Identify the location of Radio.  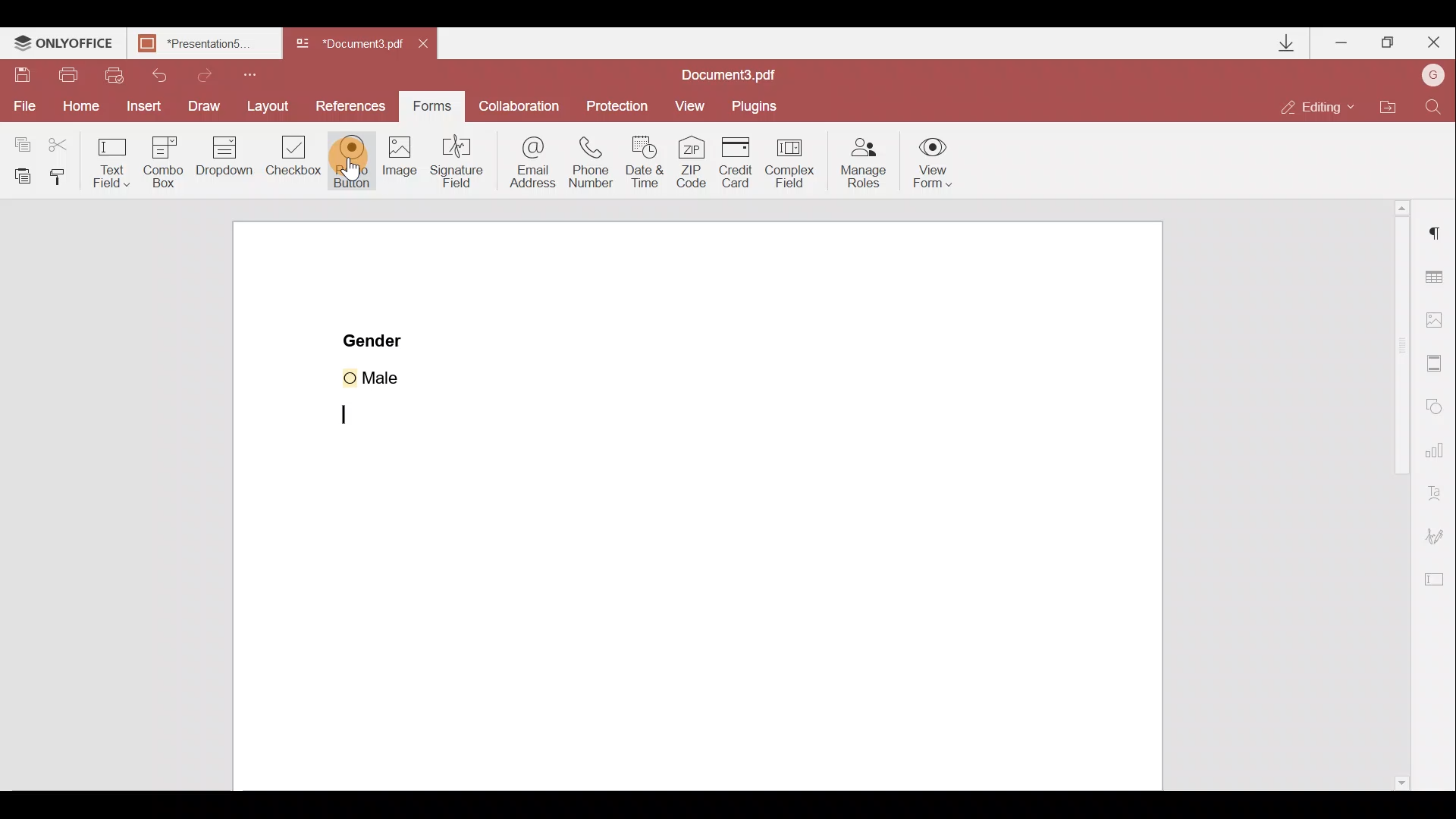
(352, 162).